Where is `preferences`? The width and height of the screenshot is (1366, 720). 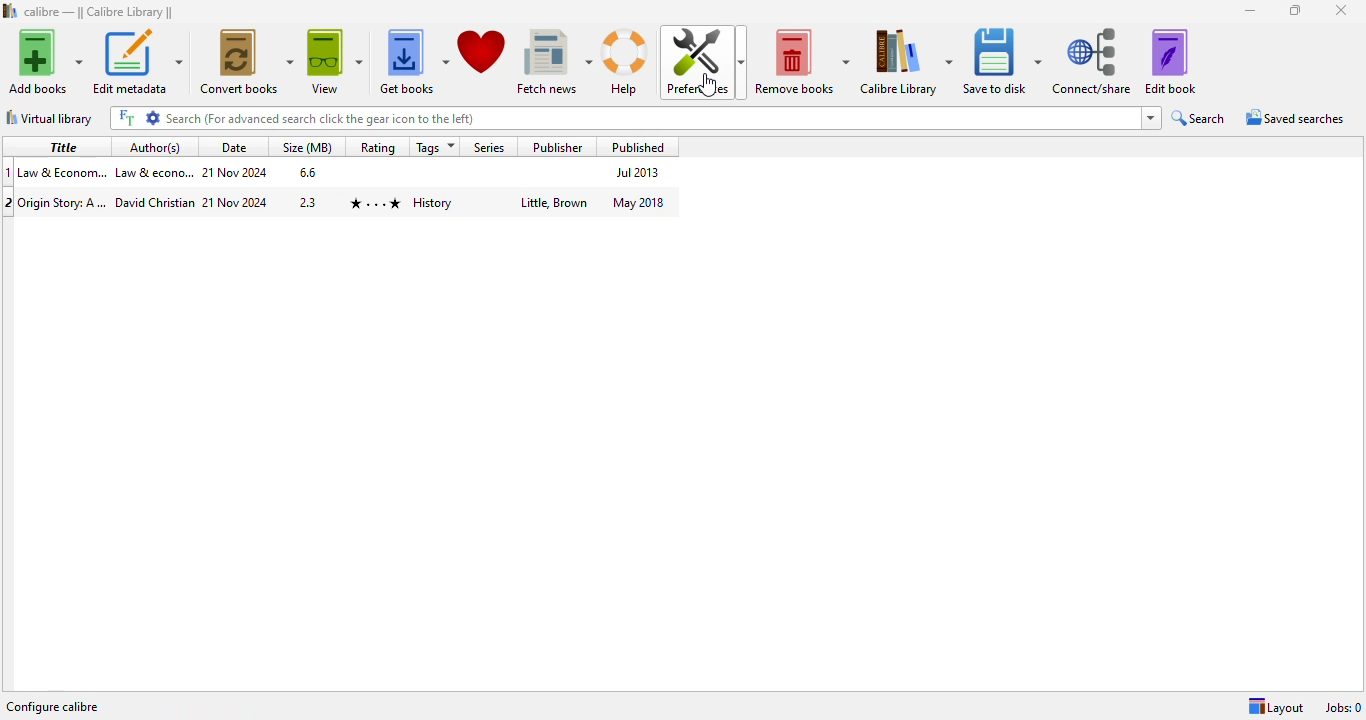 preferences is located at coordinates (705, 63).